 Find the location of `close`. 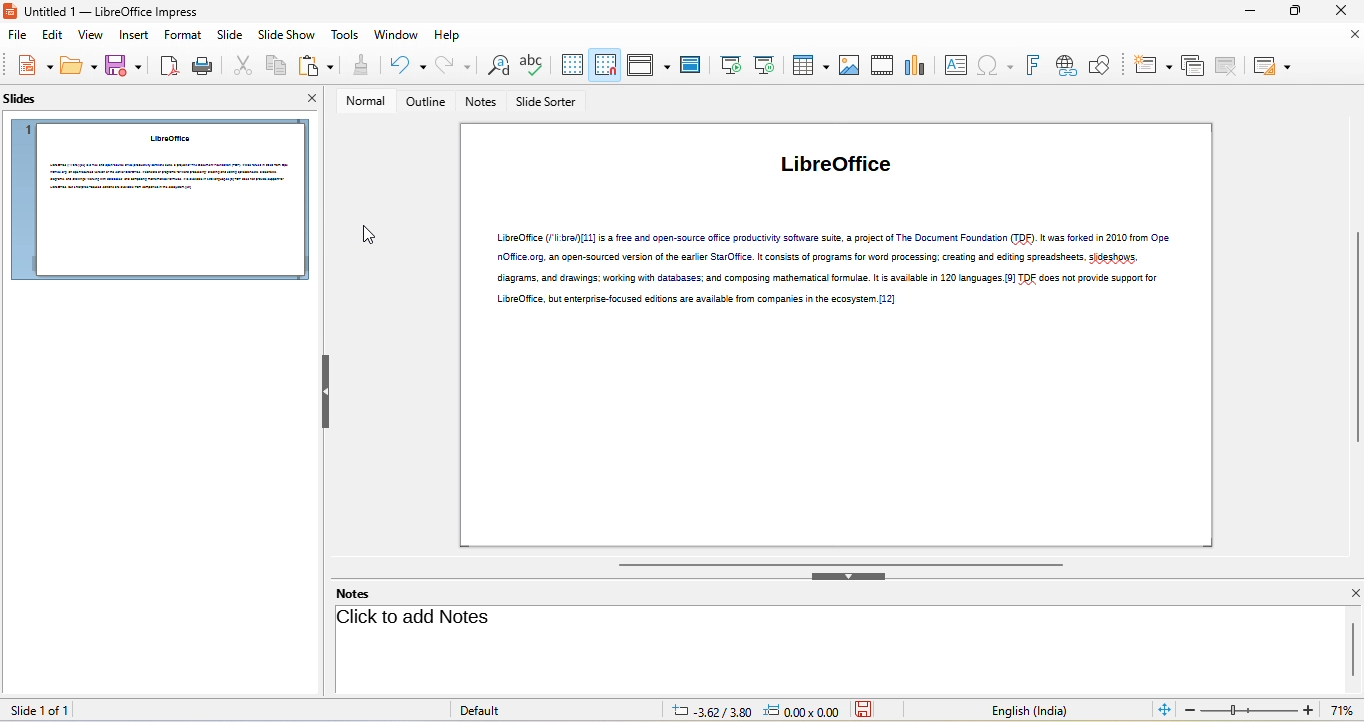

close is located at coordinates (1352, 37).